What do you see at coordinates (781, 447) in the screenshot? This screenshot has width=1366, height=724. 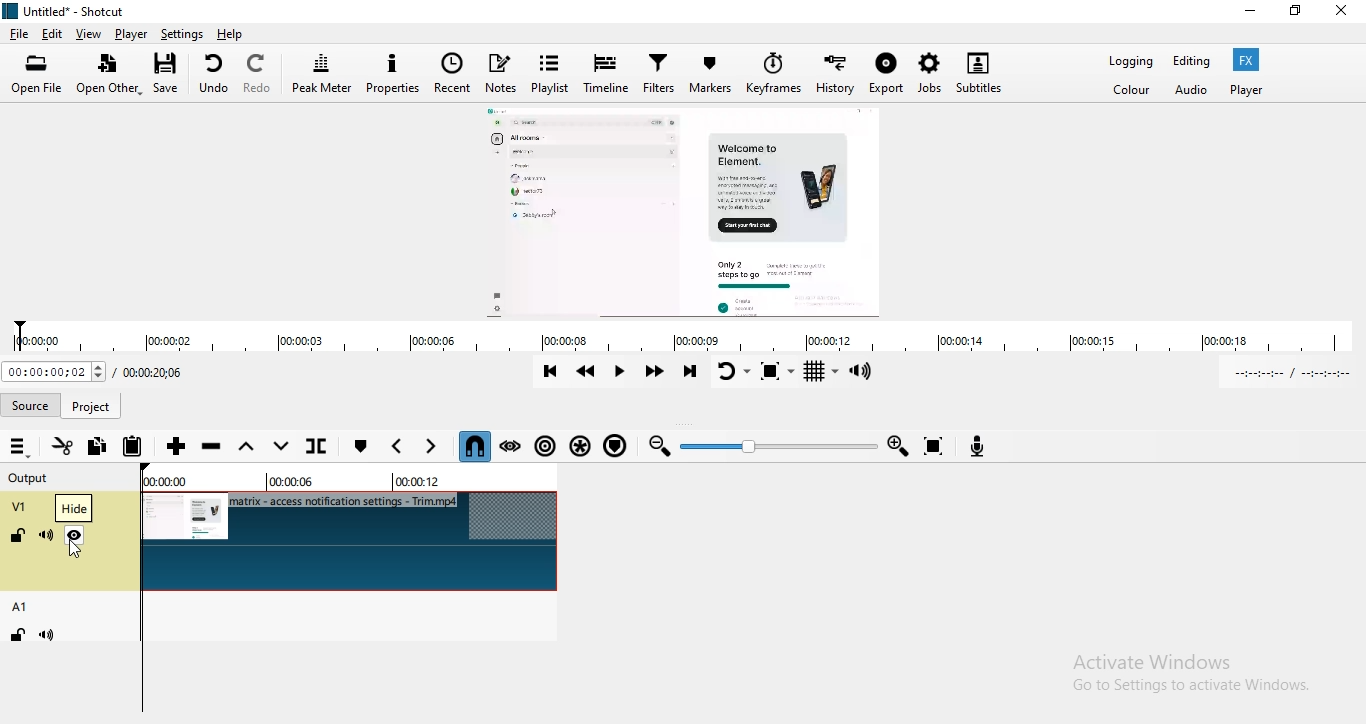 I see `` at bounding box center [781, 447].